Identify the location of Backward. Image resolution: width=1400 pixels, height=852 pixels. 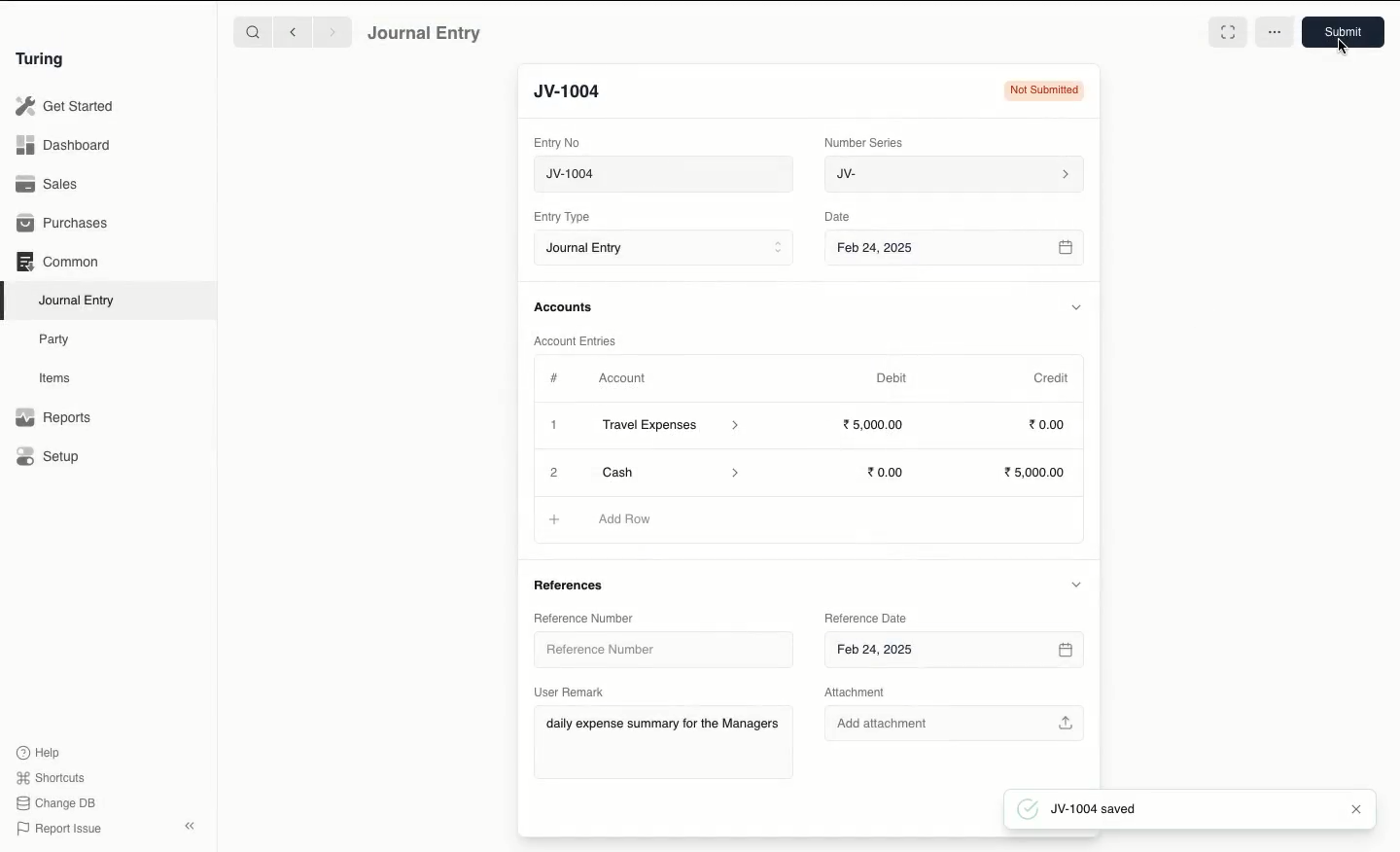
(293, 31).